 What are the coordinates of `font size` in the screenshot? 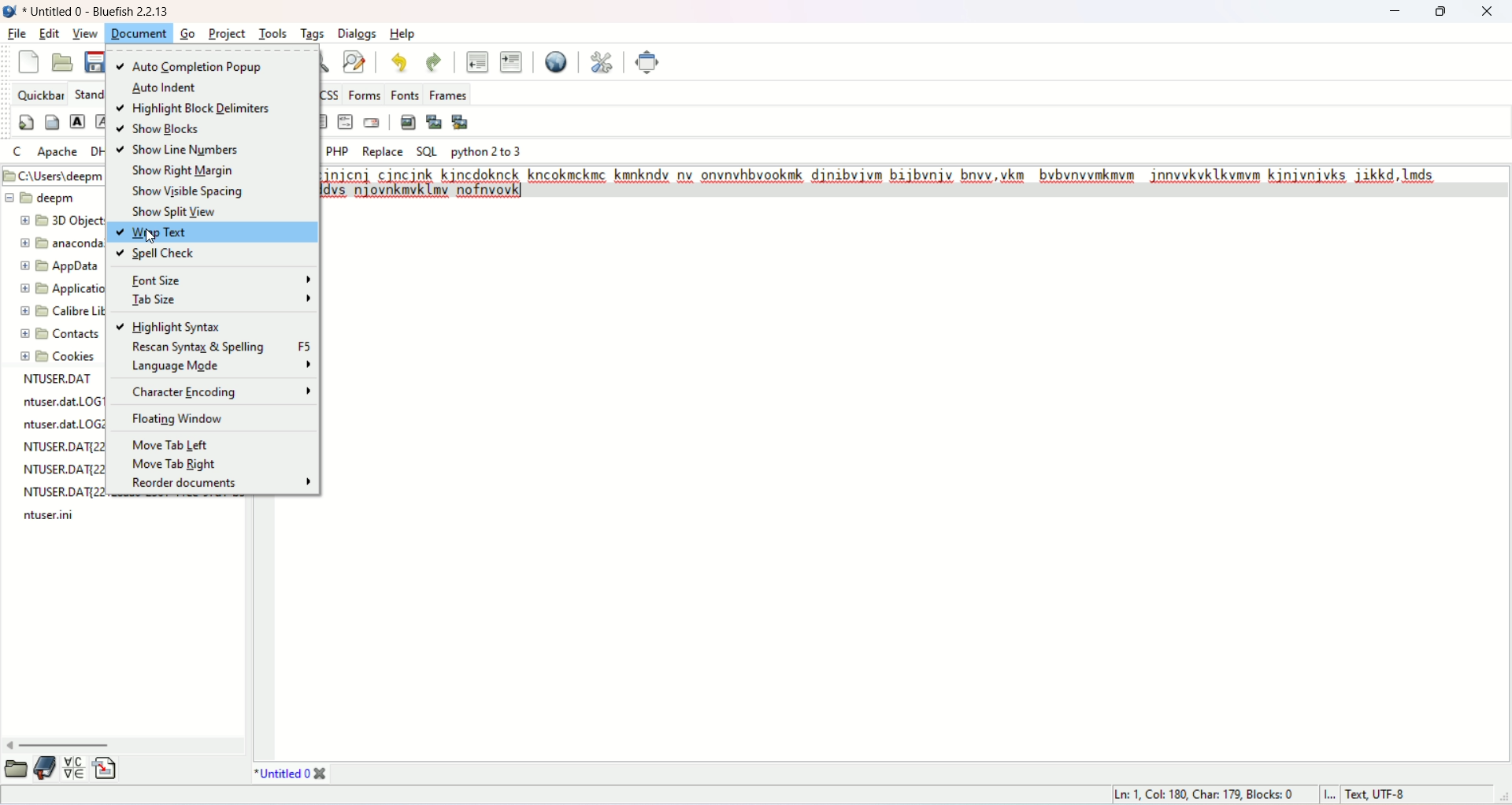 It's located at (221, 280).